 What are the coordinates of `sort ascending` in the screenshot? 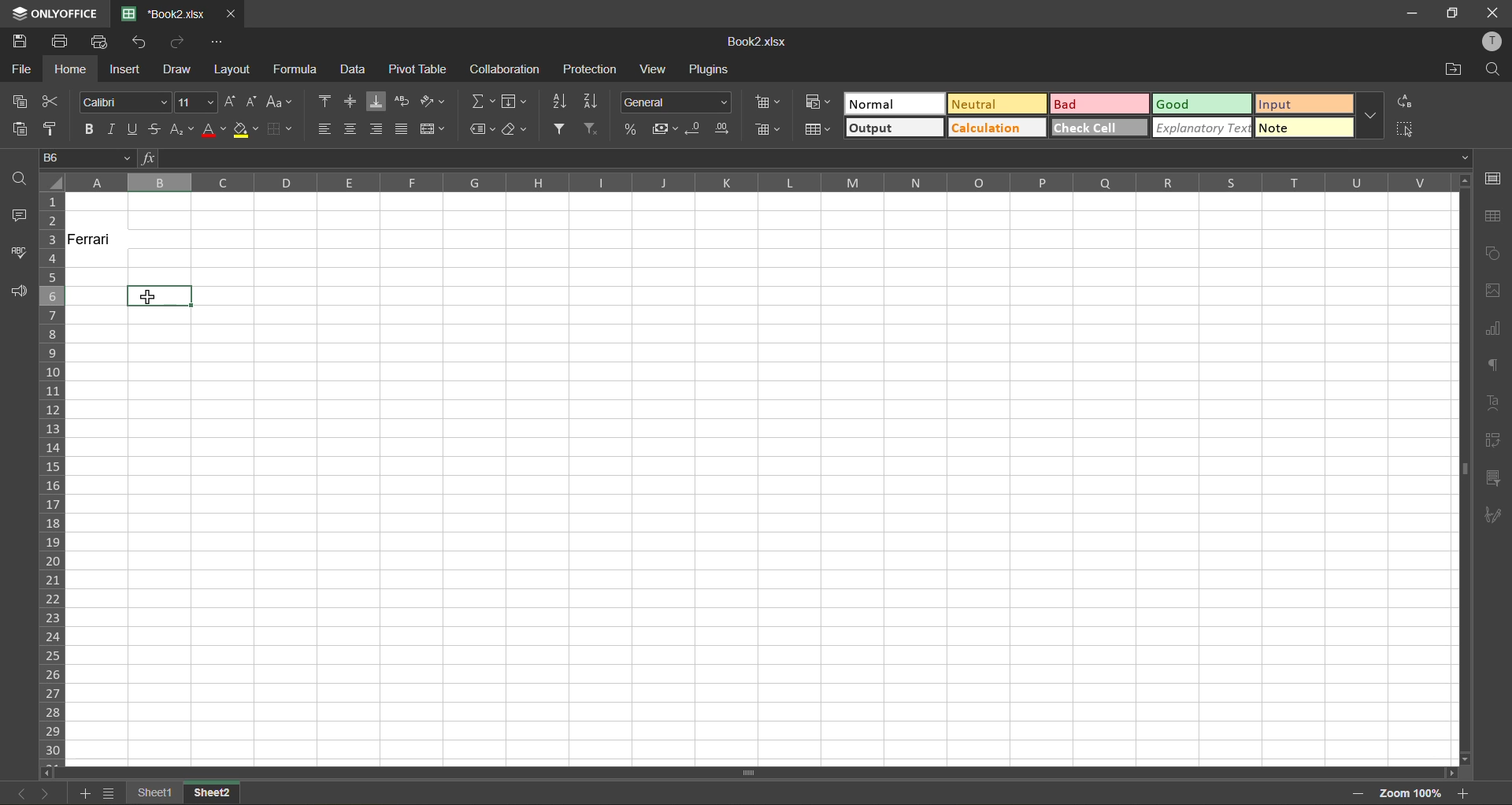 It's located at (559, 102).